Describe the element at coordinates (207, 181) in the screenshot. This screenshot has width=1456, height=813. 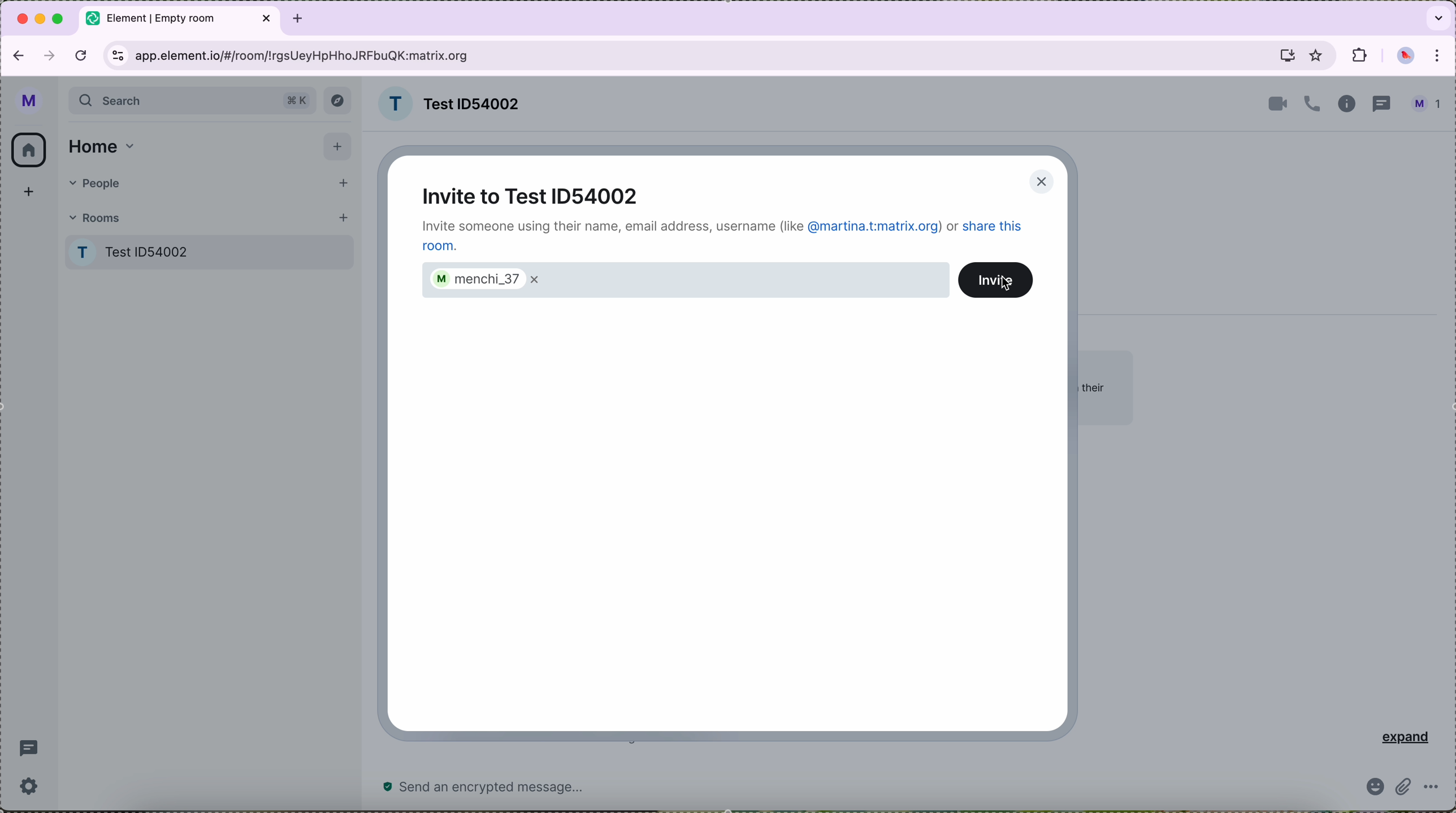
I see `people tab` at that location.